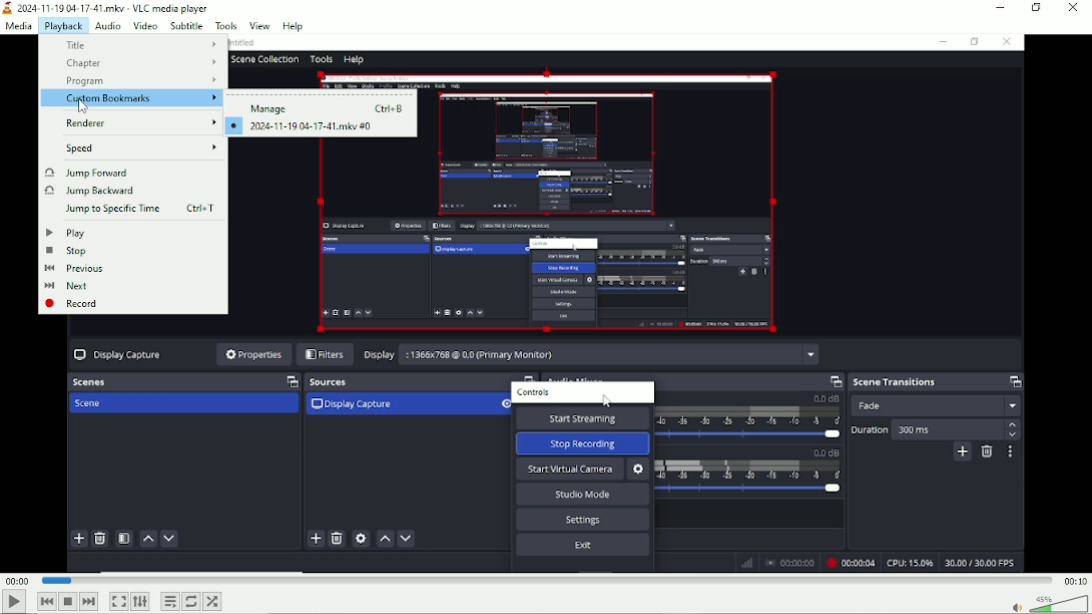 Image resolution: width=1092 pixels, height=614 pixels. I want to click on Subtitle, so click(187, 25).